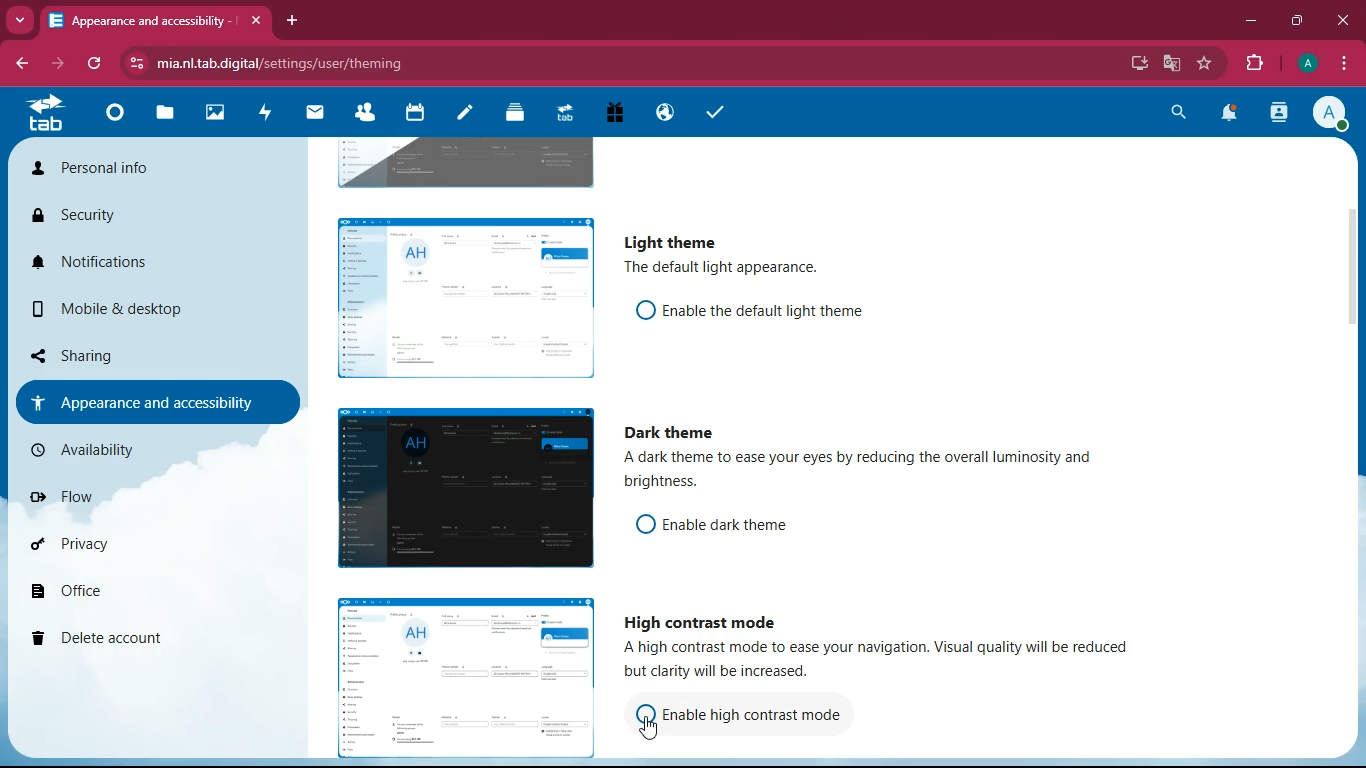  I want to click on scroll bar, so click(1357, 352).